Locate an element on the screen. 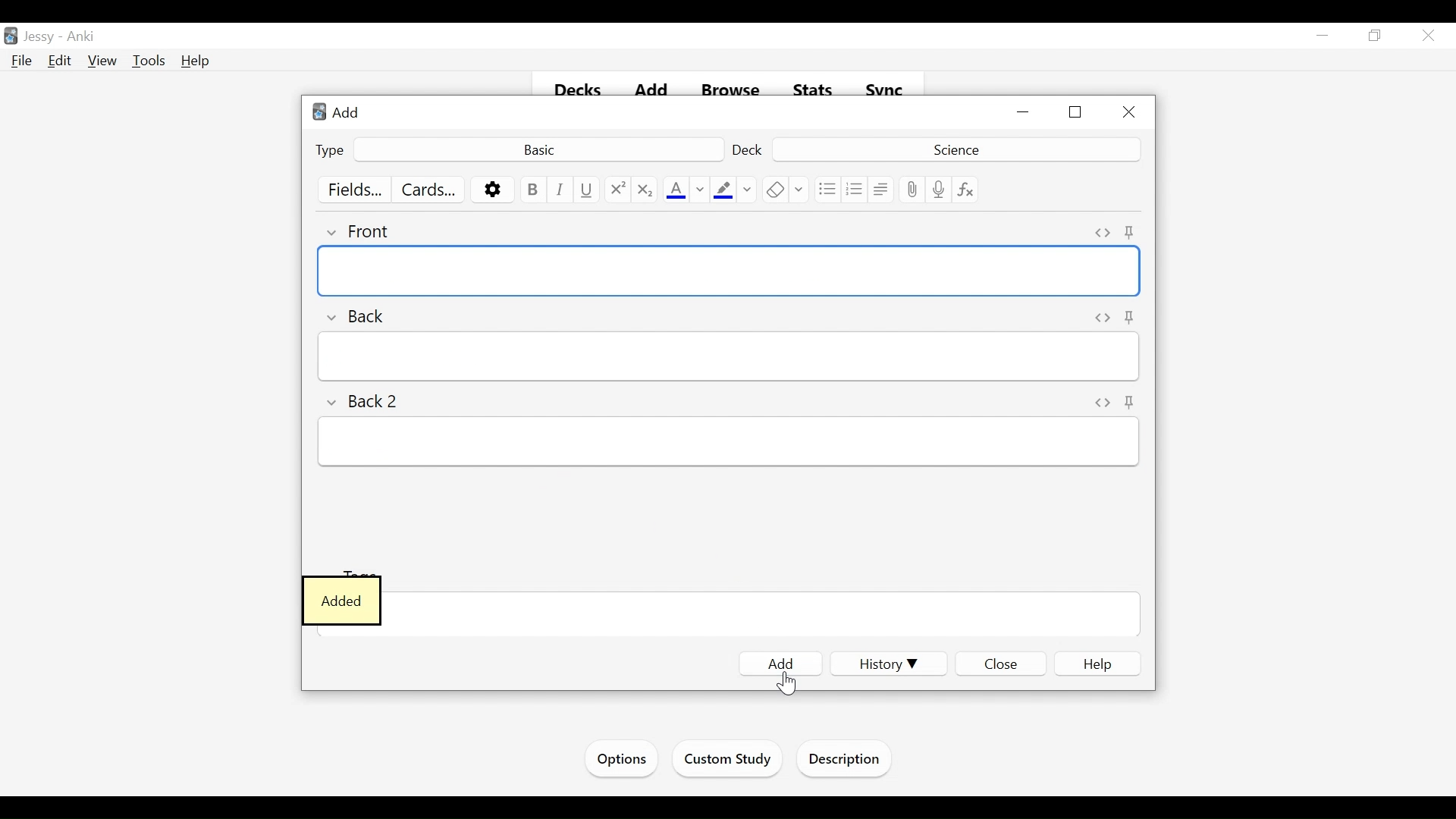 This screenshot has height=819, width=1456. Front Field is located at coordinates (730, 271).